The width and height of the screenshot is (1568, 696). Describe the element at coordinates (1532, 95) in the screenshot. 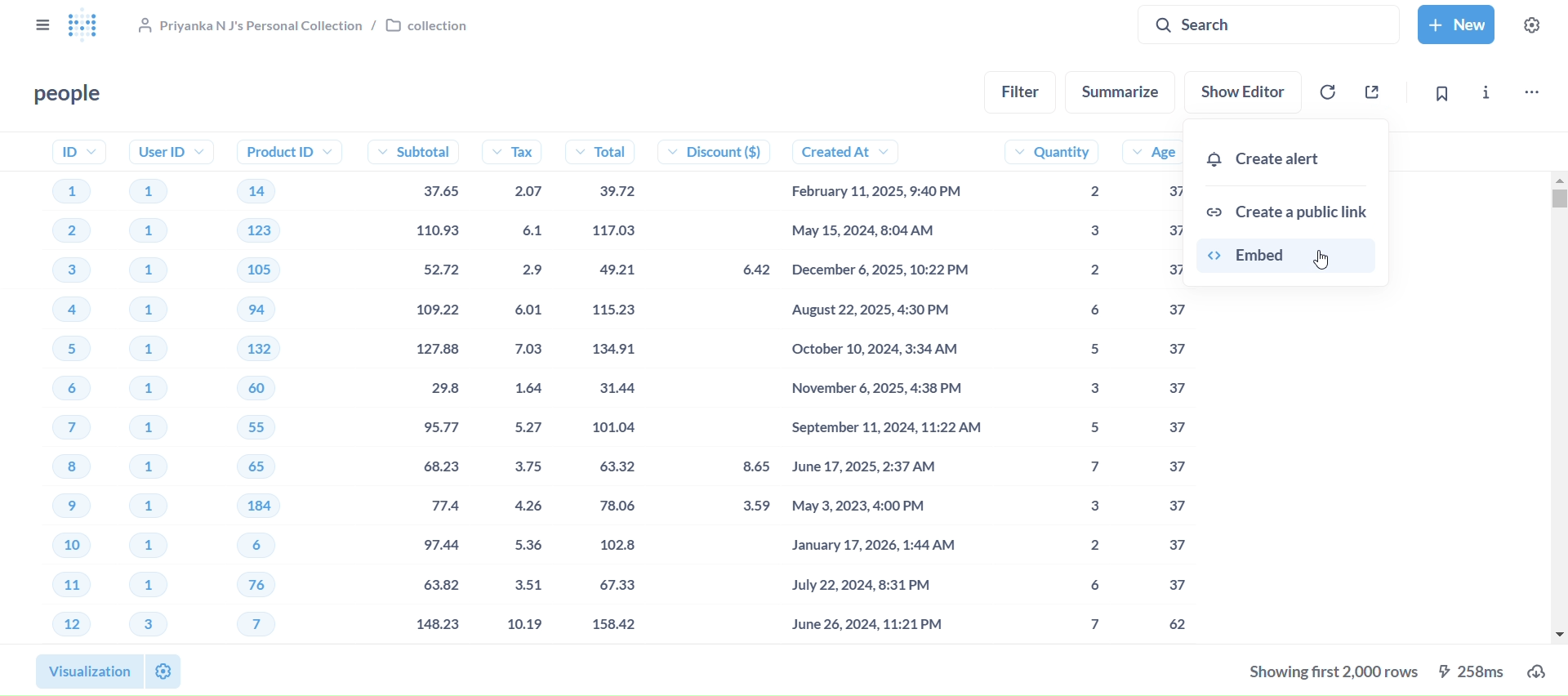

I see `move,trash and more` at that location.